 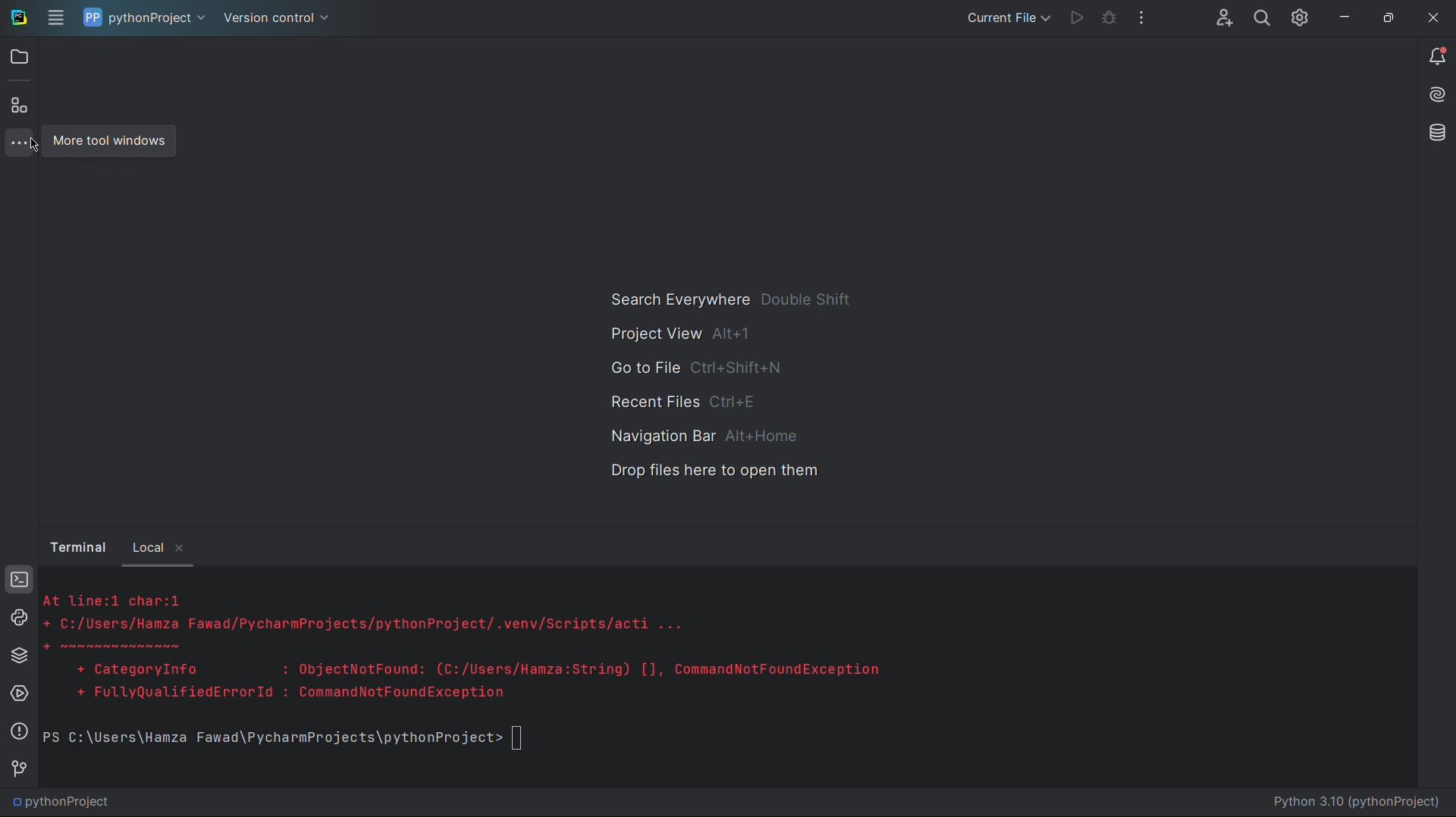 I want to click on Cursor, so click(x=34, y=147).